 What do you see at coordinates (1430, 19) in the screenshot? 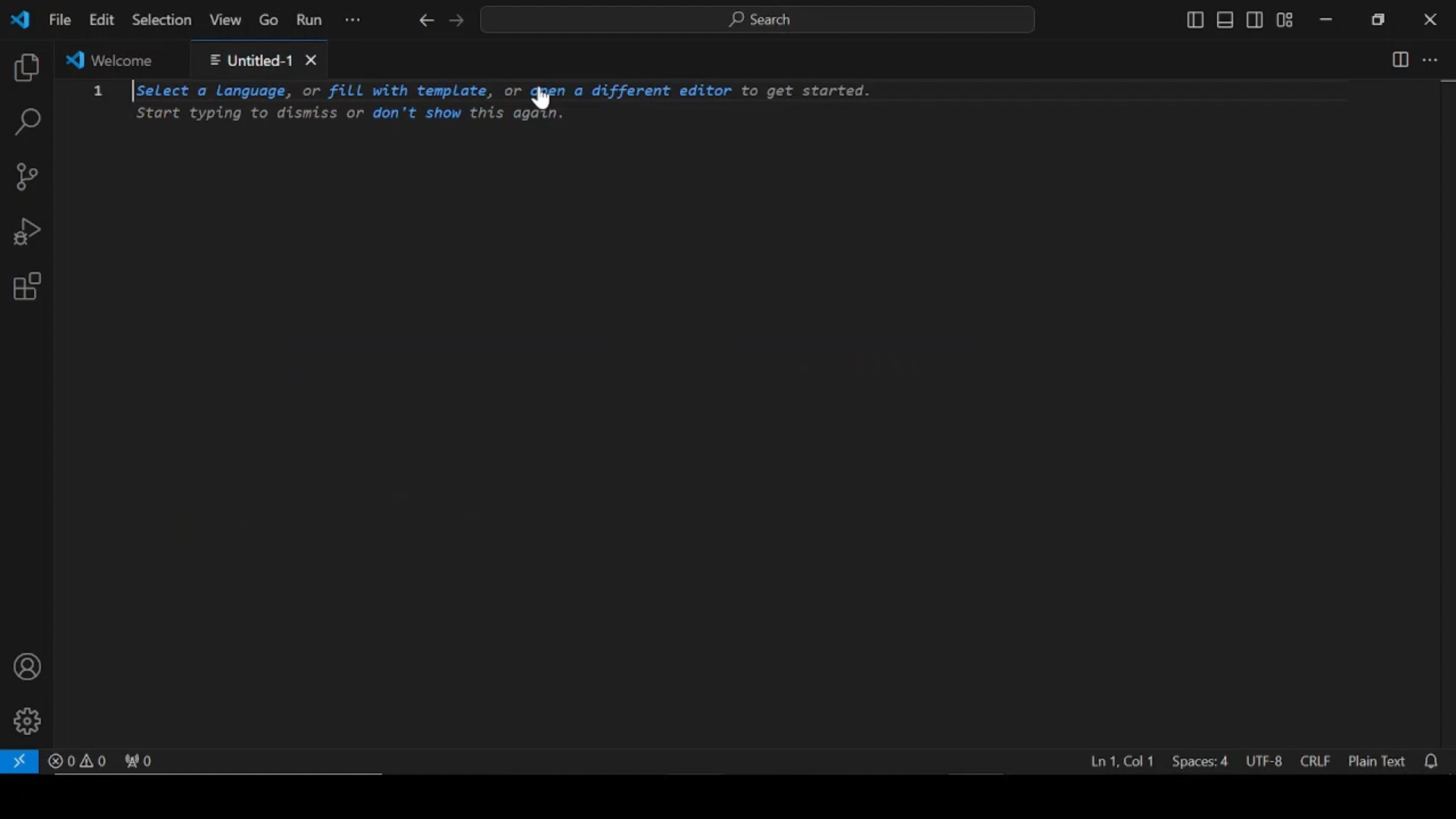
I see `close` at bounding box center [1430, 19].